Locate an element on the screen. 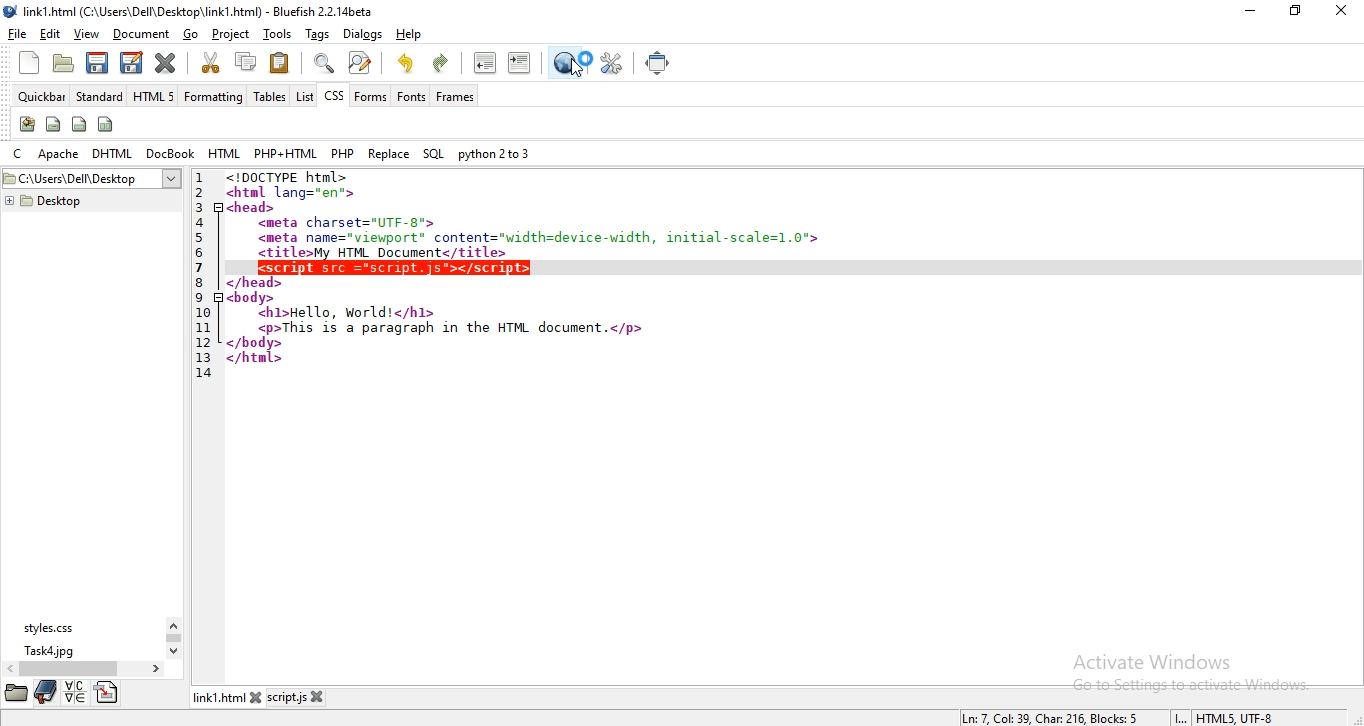  advanced find and replace is located at coordinates (360, 62).